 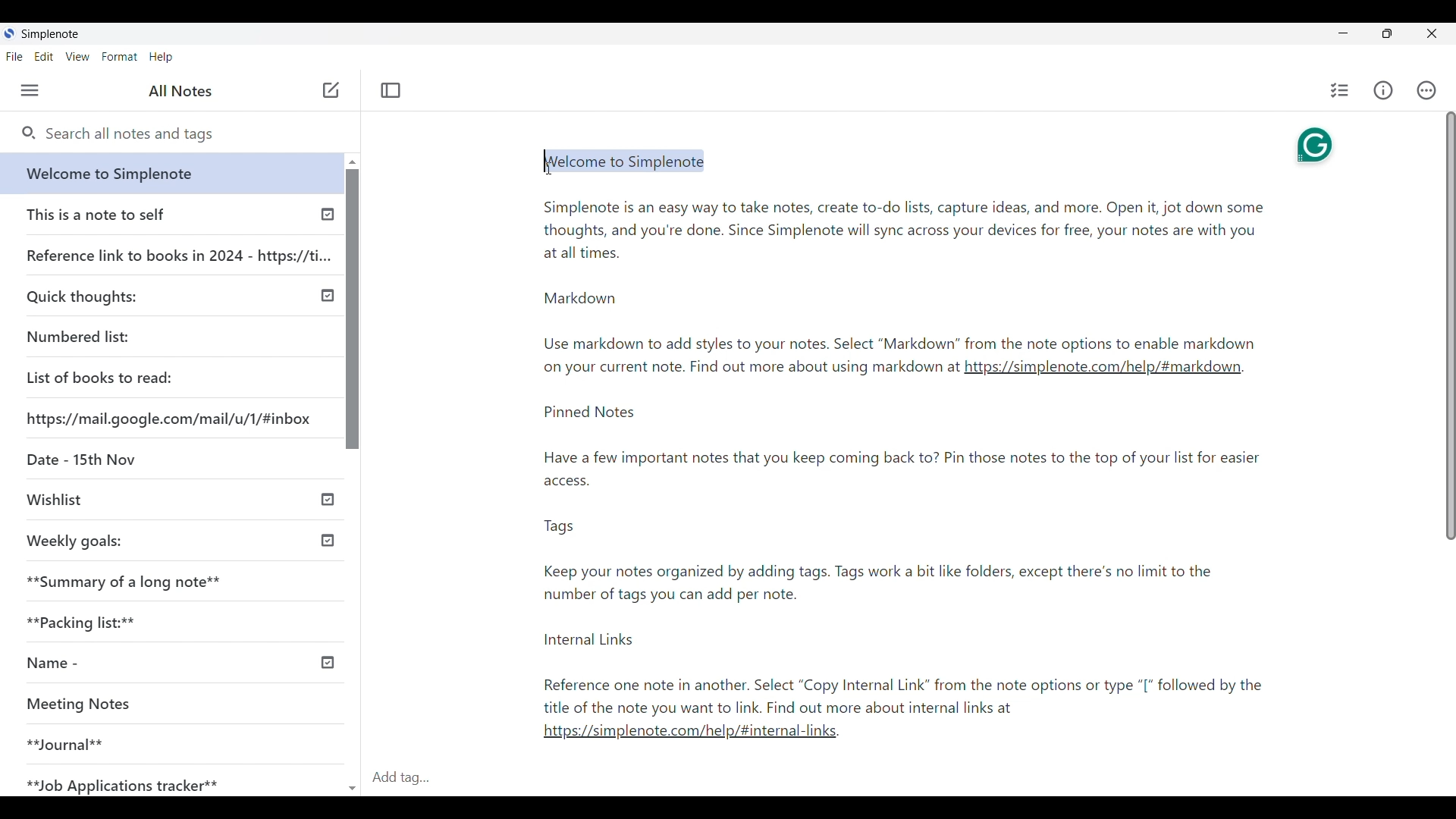 I want to click on Listen of books to read, so click(x=99, y=377).